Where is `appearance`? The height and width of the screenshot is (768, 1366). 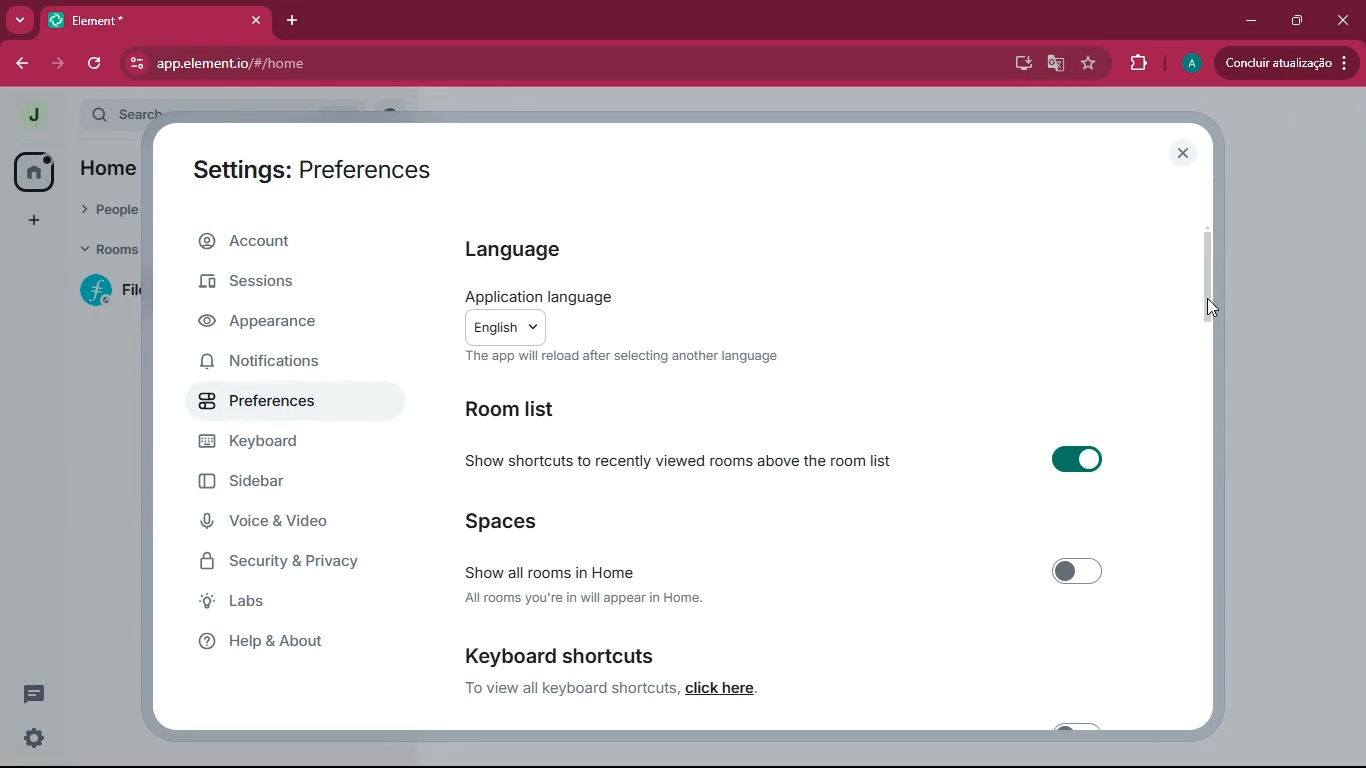
appearance is located at coordinates (277, 324).